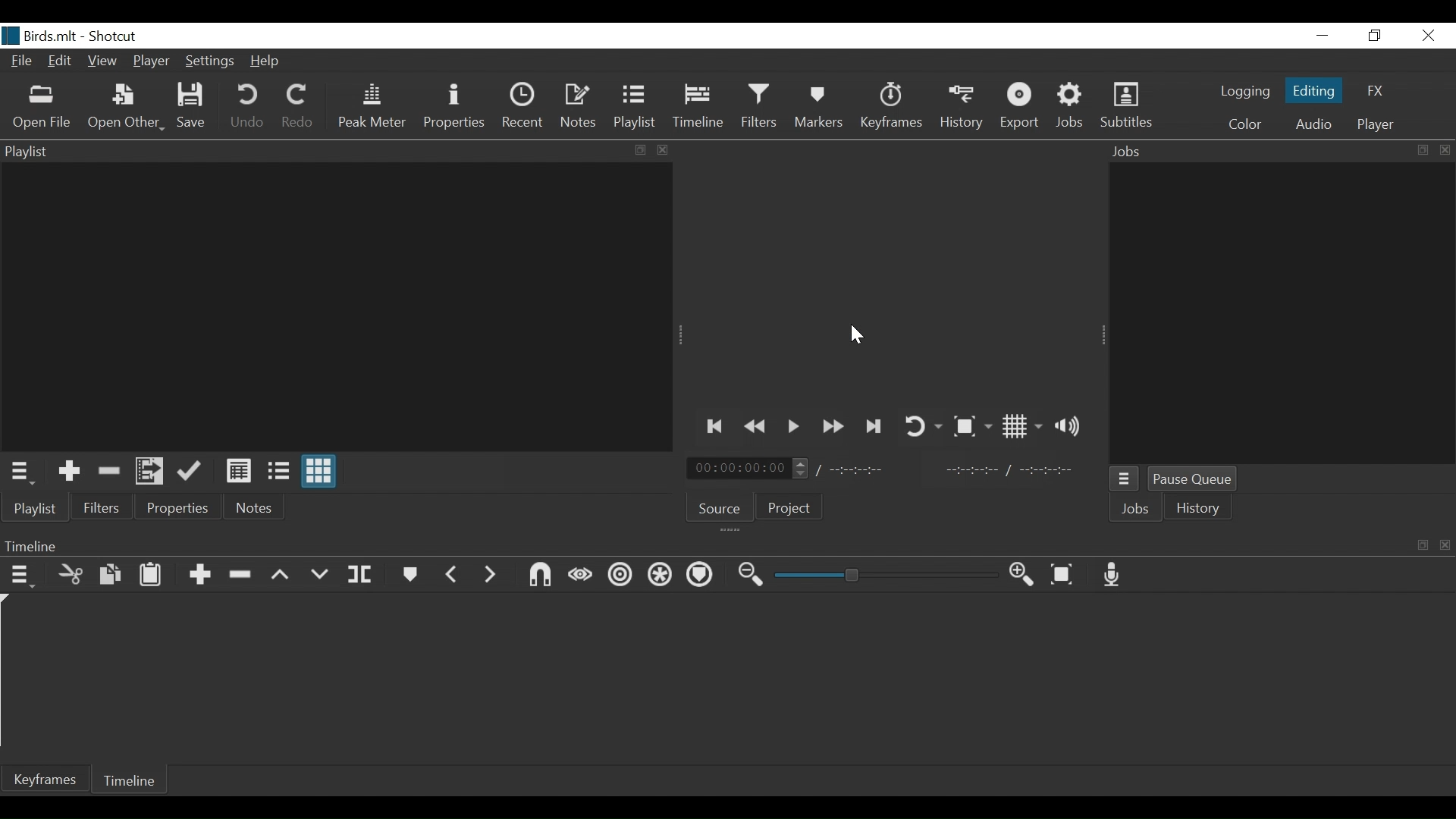 The image size is (1456, 819). I want to click on Play quickly forward, so click(833, 426).